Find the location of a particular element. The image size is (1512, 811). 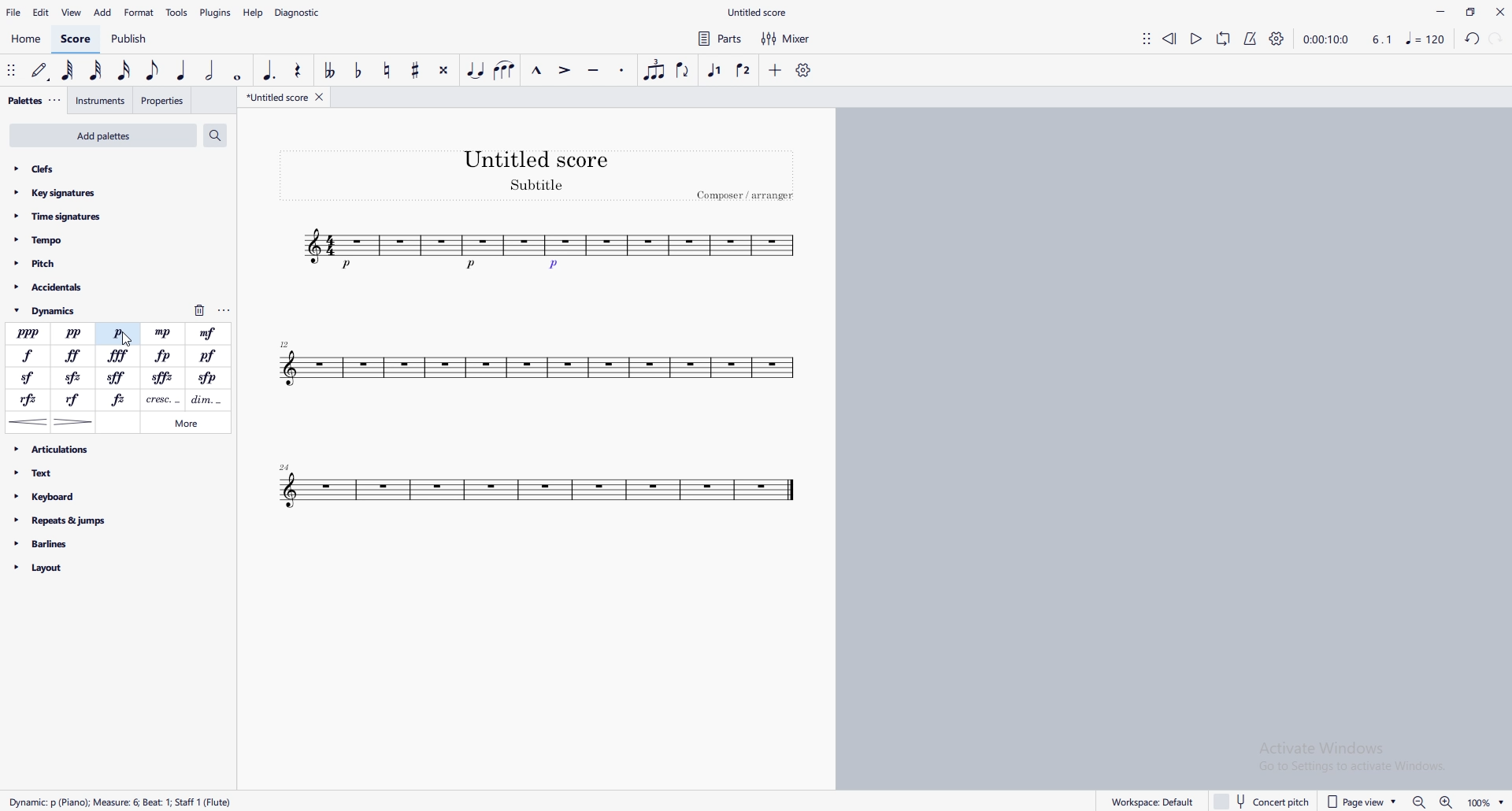

workplace default is located at coordinates (1141, 796).